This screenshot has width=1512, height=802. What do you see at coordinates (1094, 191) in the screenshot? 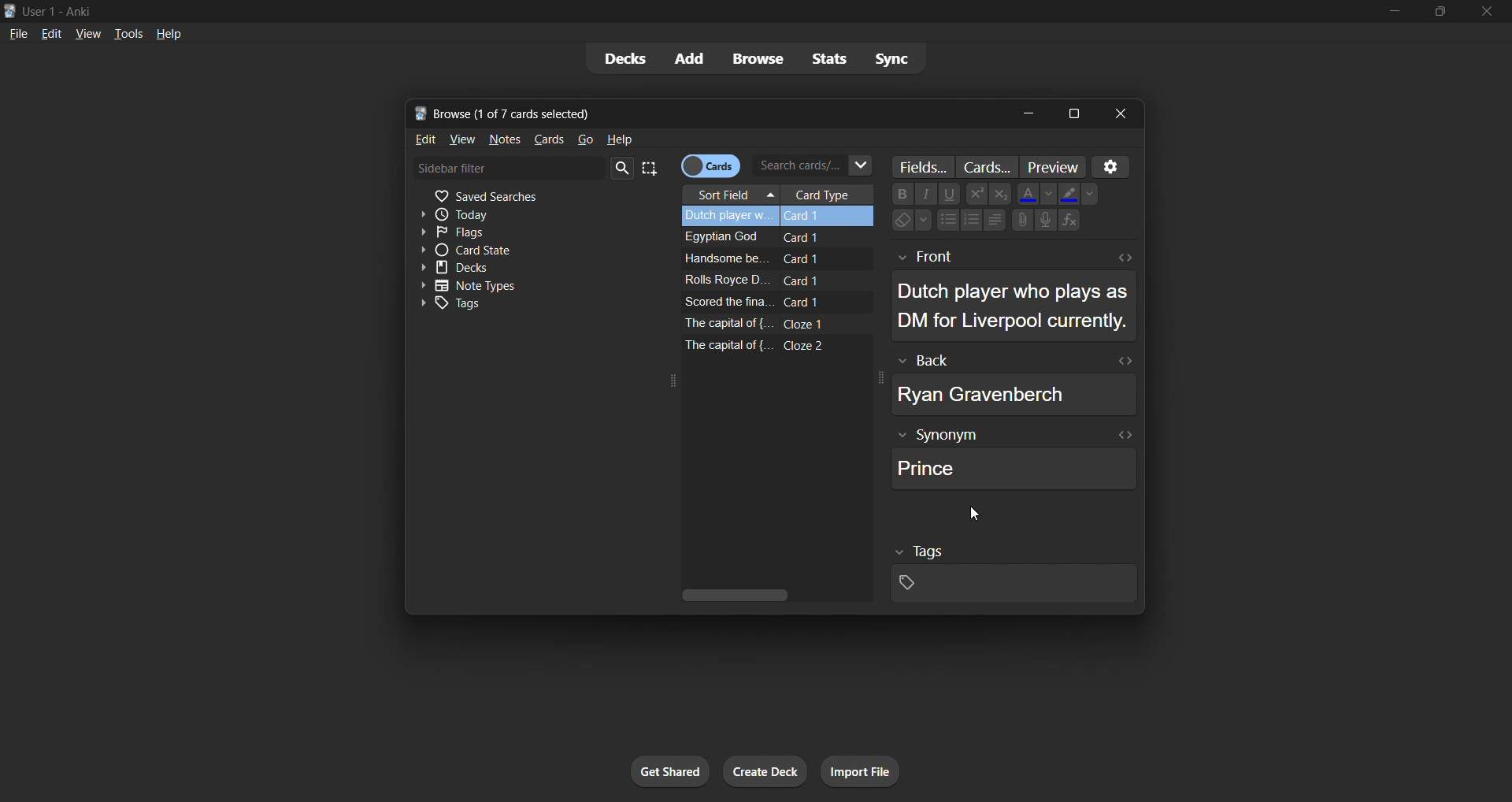
I see `Down-arrow` at bounding box center [1094, 191].